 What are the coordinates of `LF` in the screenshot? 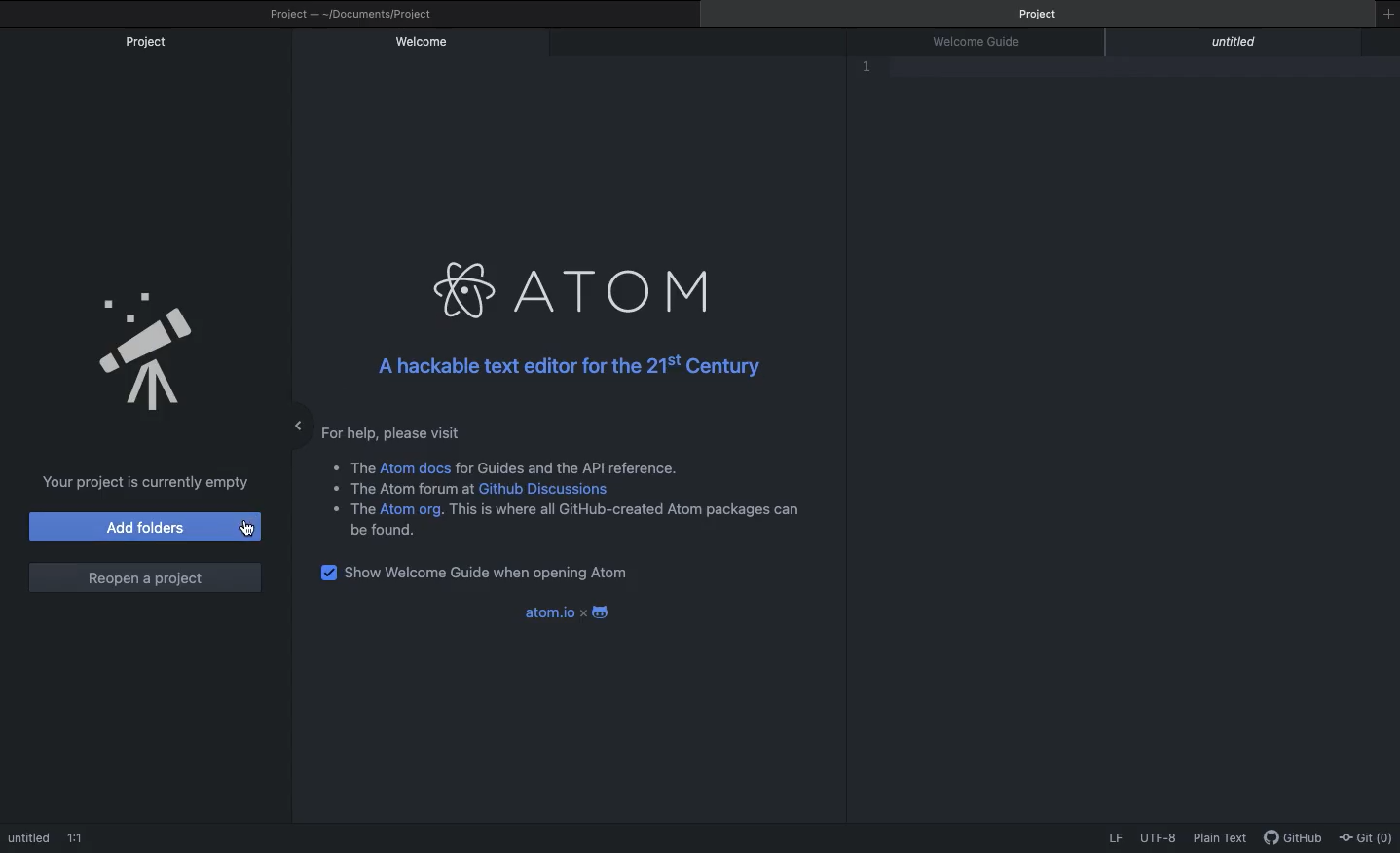 It's located at (1117, 834).